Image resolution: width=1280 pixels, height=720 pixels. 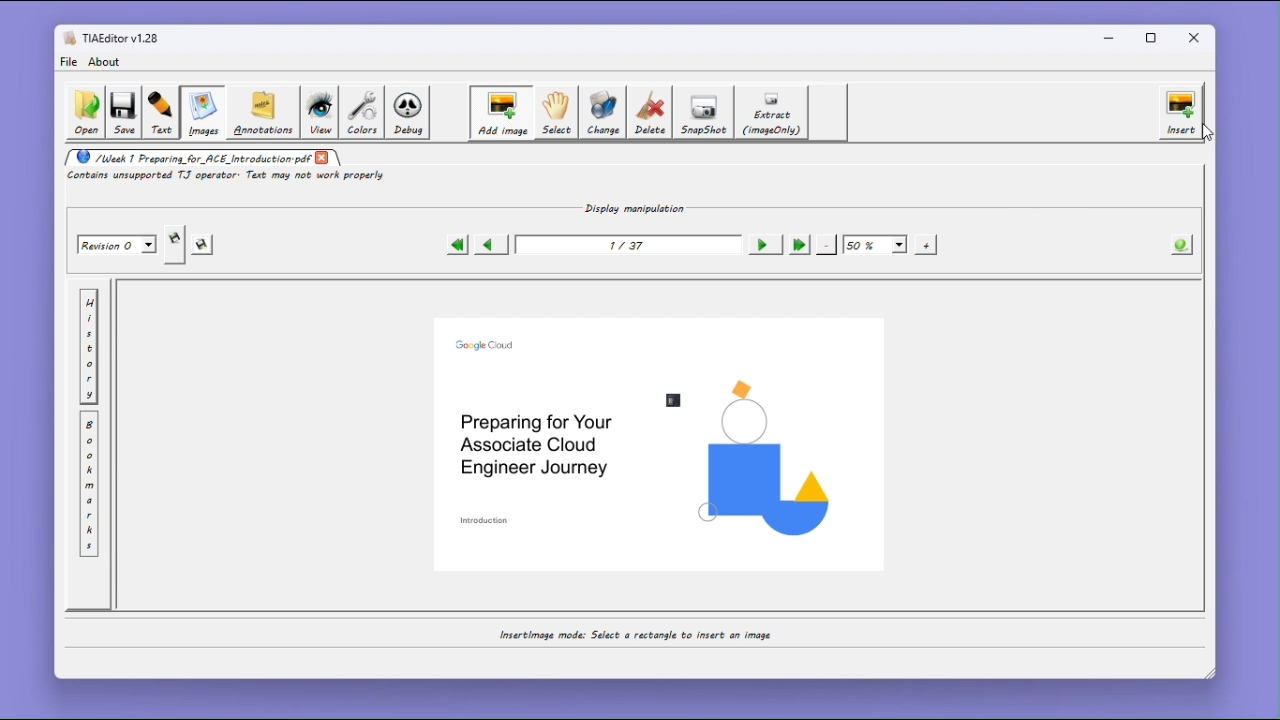 What do you see at coordinates (633, 635) in the screenshot?
I see `Insertimage mode: Select a rectangle to insert an image` at bounding box center [633, 635].